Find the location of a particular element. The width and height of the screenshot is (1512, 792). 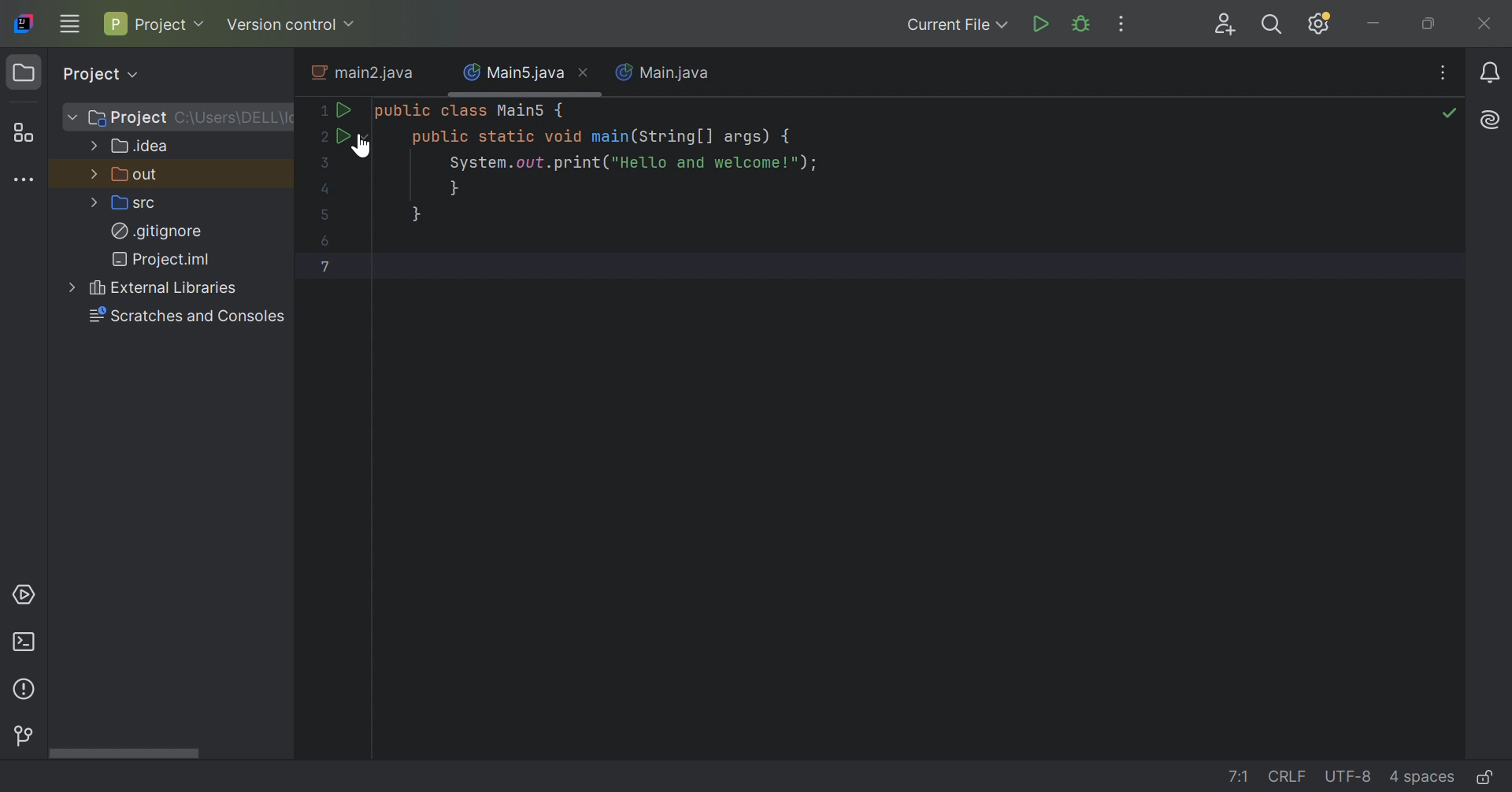

Scroll bar is located at coordinates (122, 754).